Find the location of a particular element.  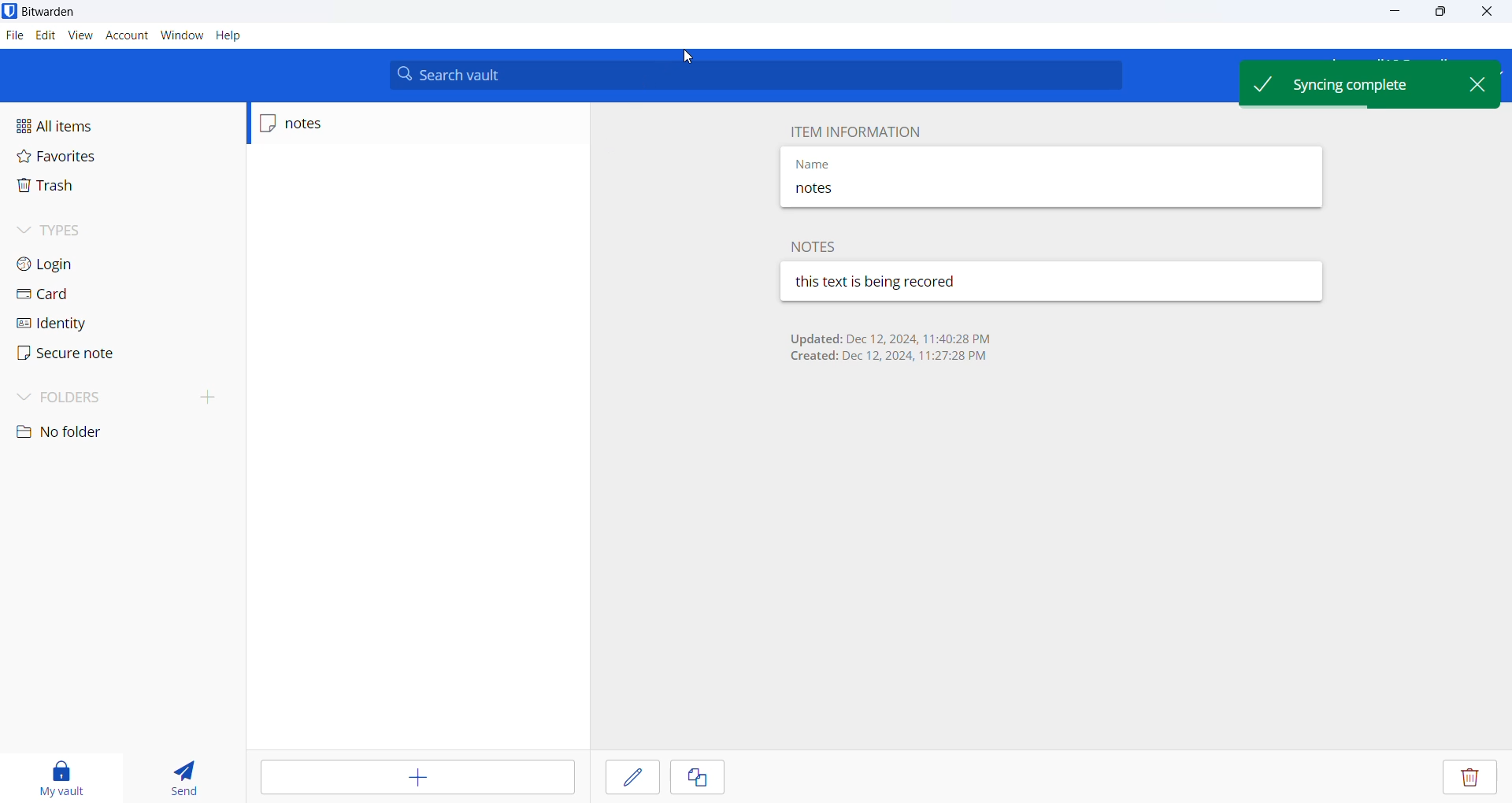

notes is located at coordinates (873, 191).